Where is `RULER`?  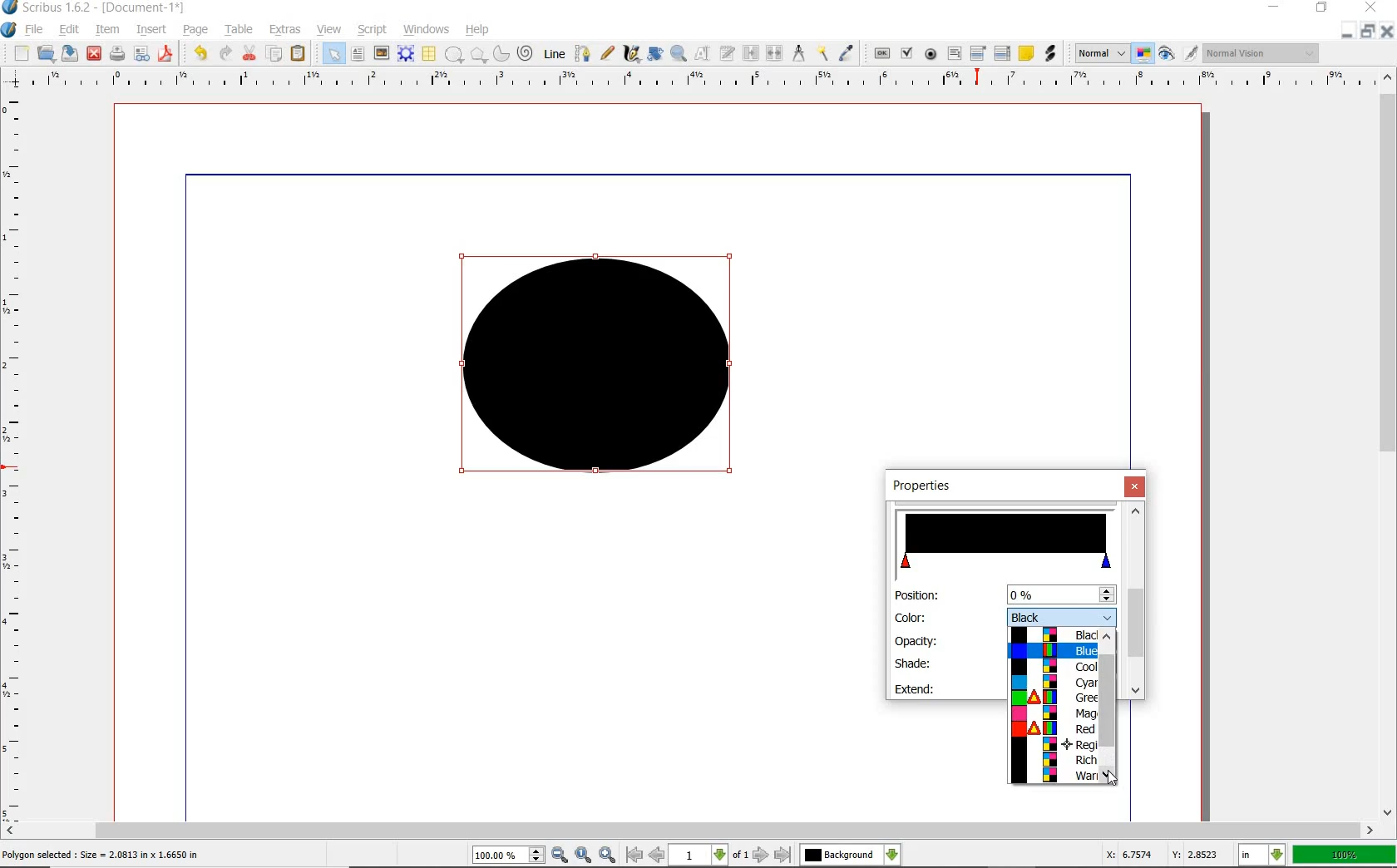 RULER is located at coordinates (694, 81).